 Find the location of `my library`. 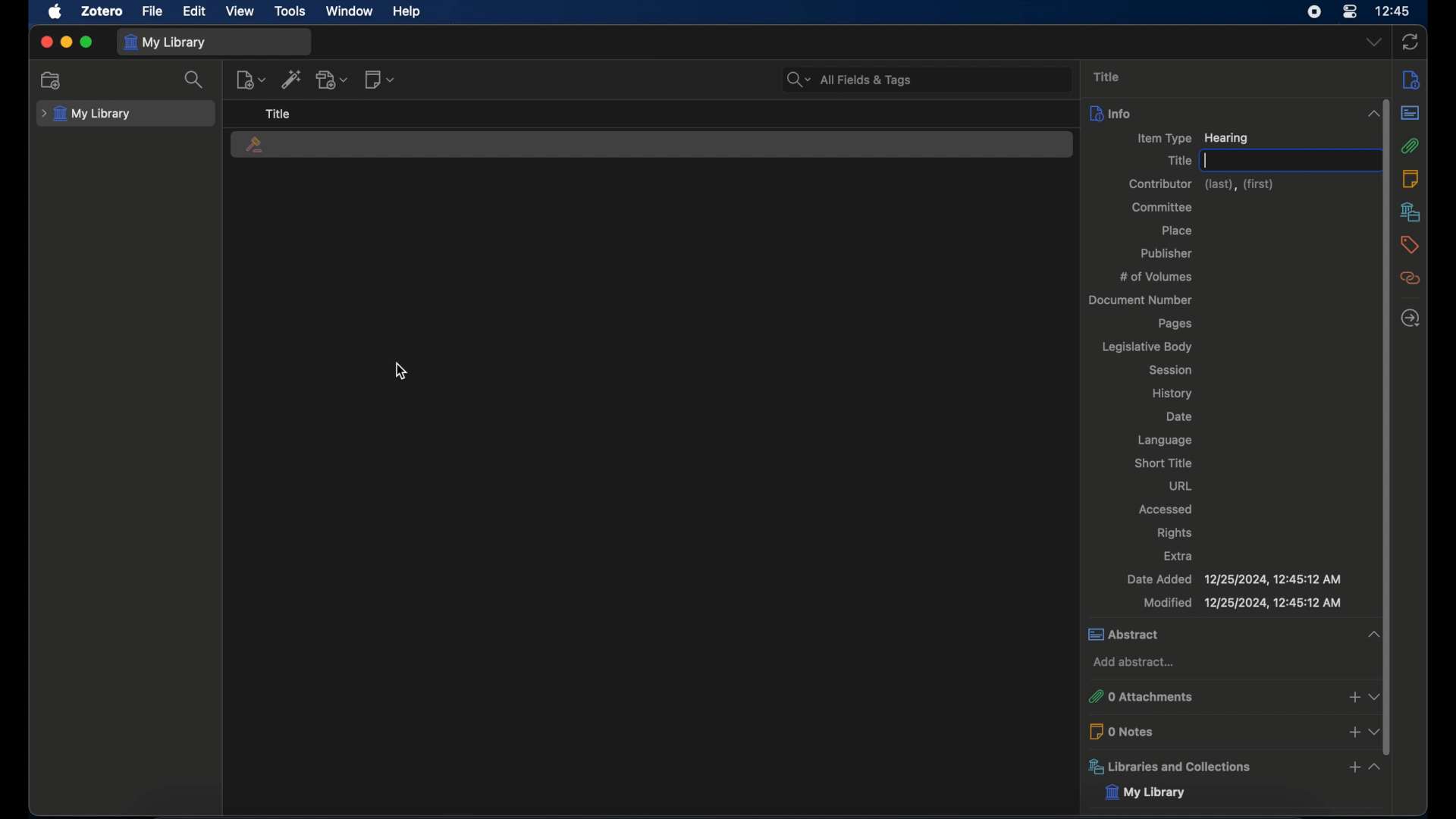

my library is located at coordinates (86, 115).